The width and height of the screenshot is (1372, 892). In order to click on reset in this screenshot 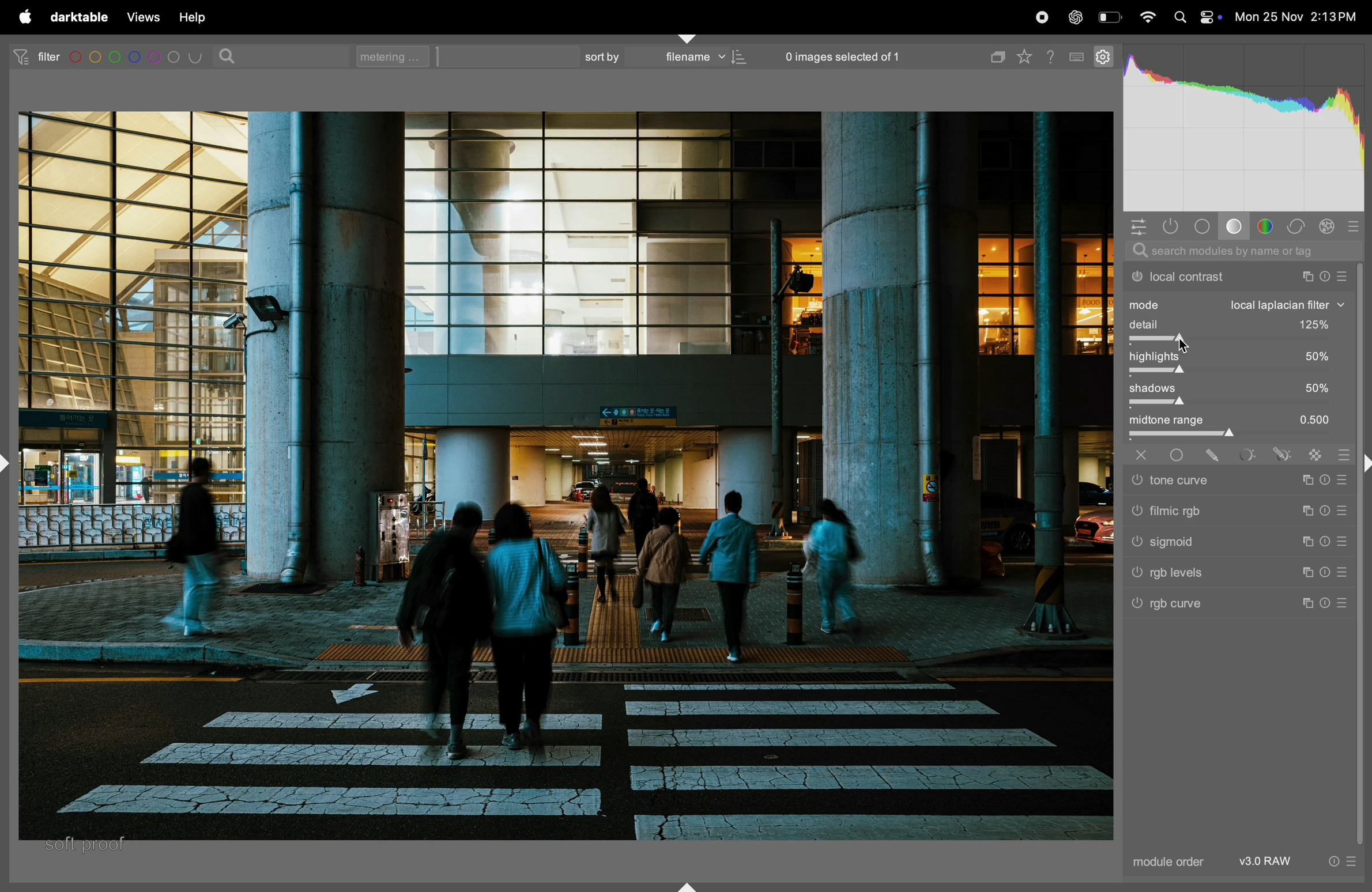, I will do `click(1326, 509)`.